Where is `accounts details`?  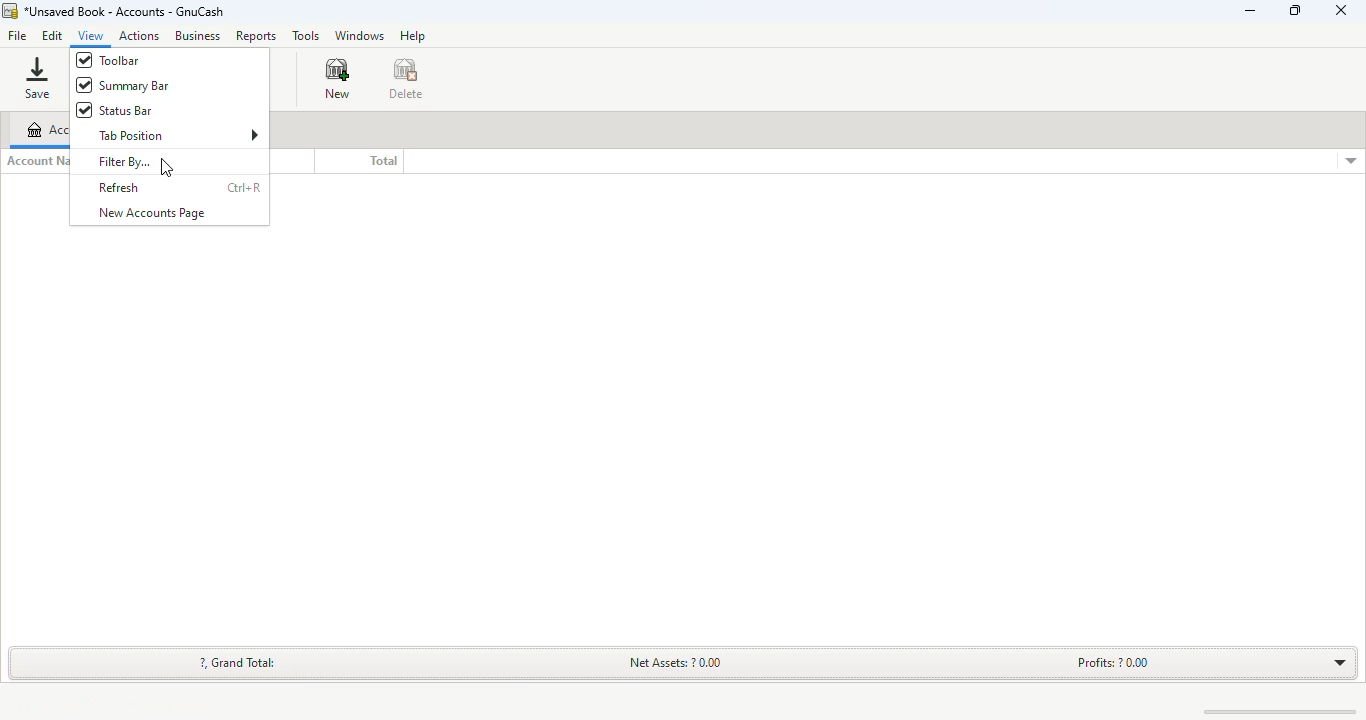 accounts details is located at coordinates (1351, 161).